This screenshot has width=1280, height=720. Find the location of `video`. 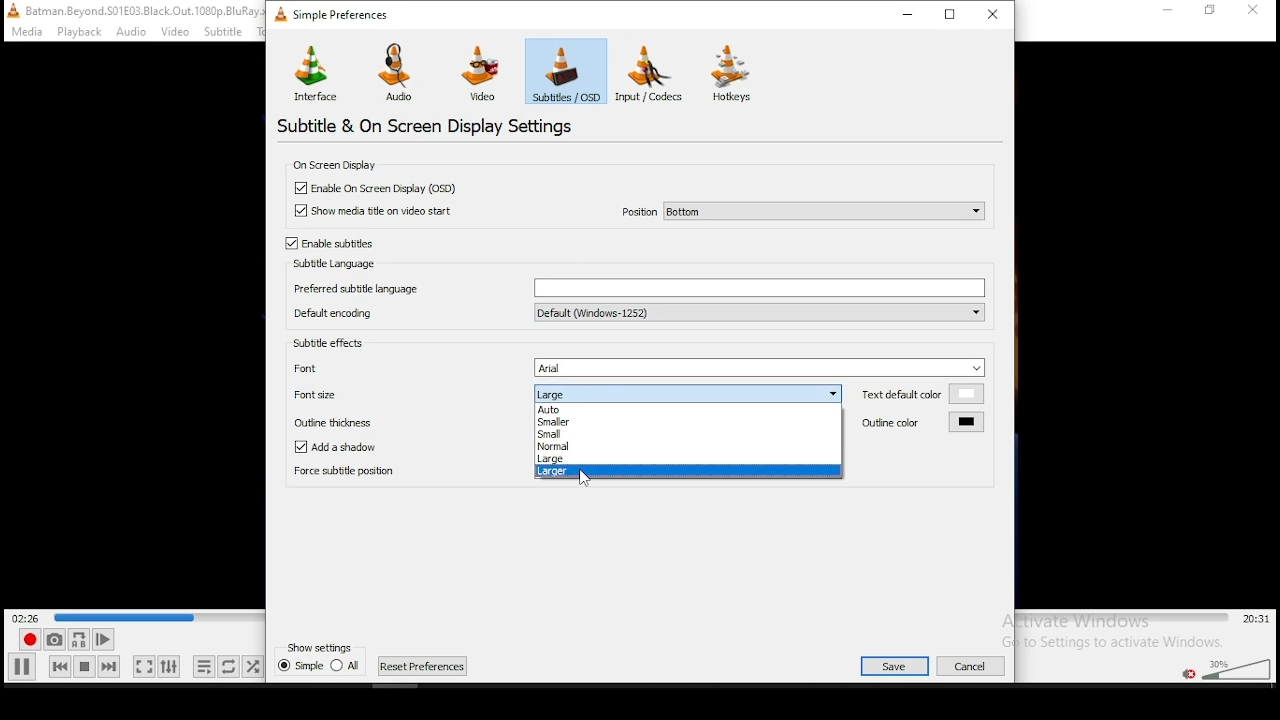

video is located at coordinates (483, 75).